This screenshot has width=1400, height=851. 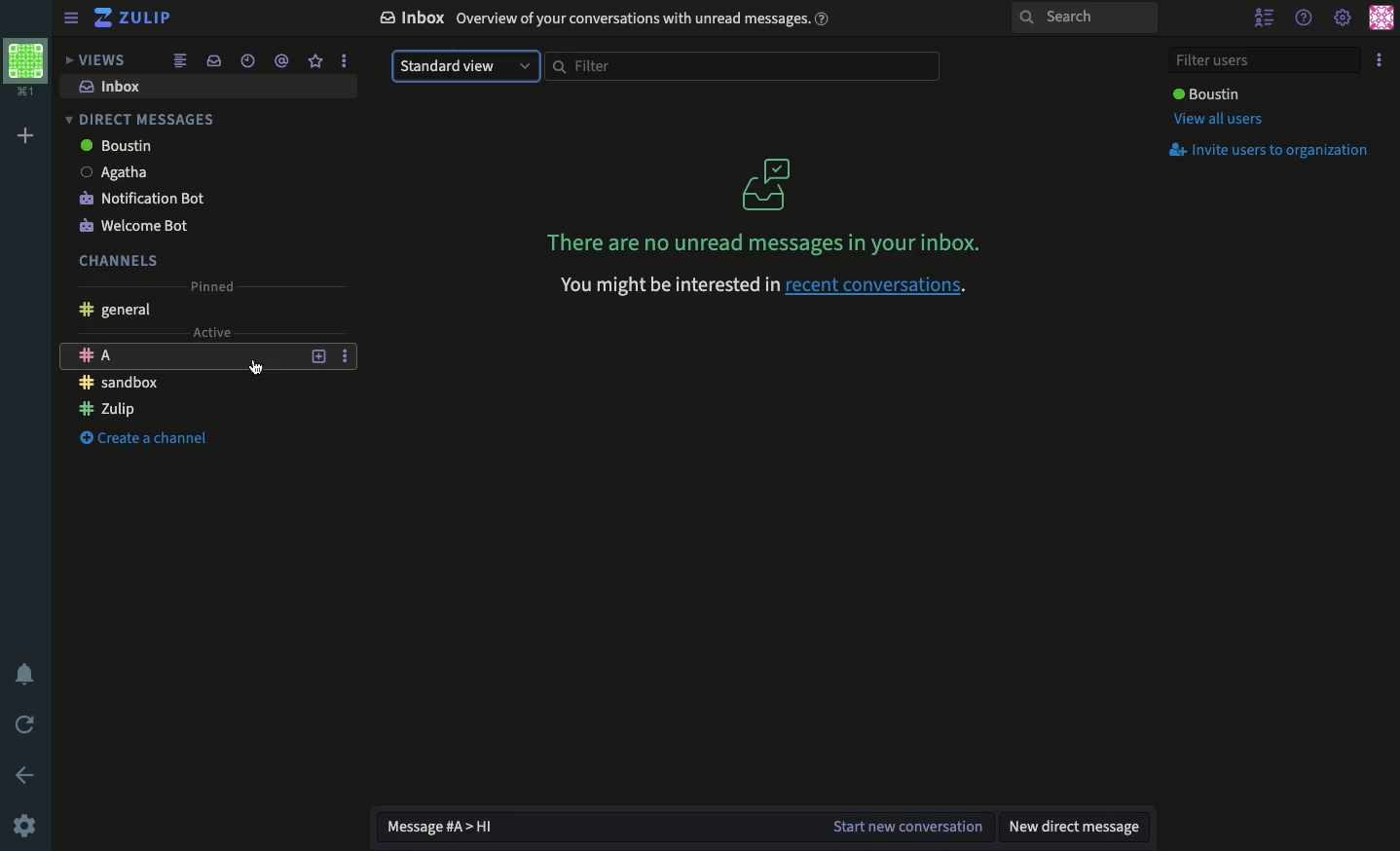 What do you see at coordinates (345, 356) in the screenshot?
I see `Options` at bounding box center [345, 356].